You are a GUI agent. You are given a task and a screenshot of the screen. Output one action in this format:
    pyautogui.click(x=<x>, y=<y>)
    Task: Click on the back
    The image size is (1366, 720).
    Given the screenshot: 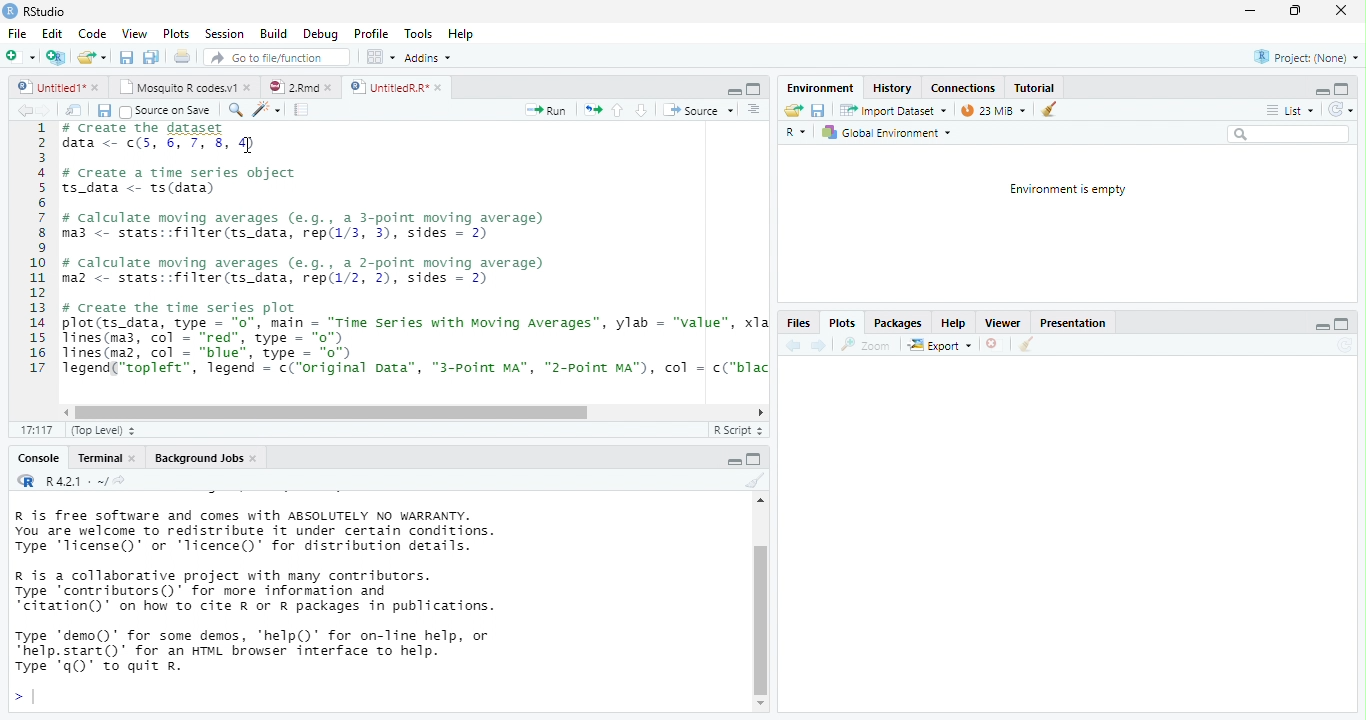 What is the action you would take?
    pyautogui.click(x=791, y=345)
    